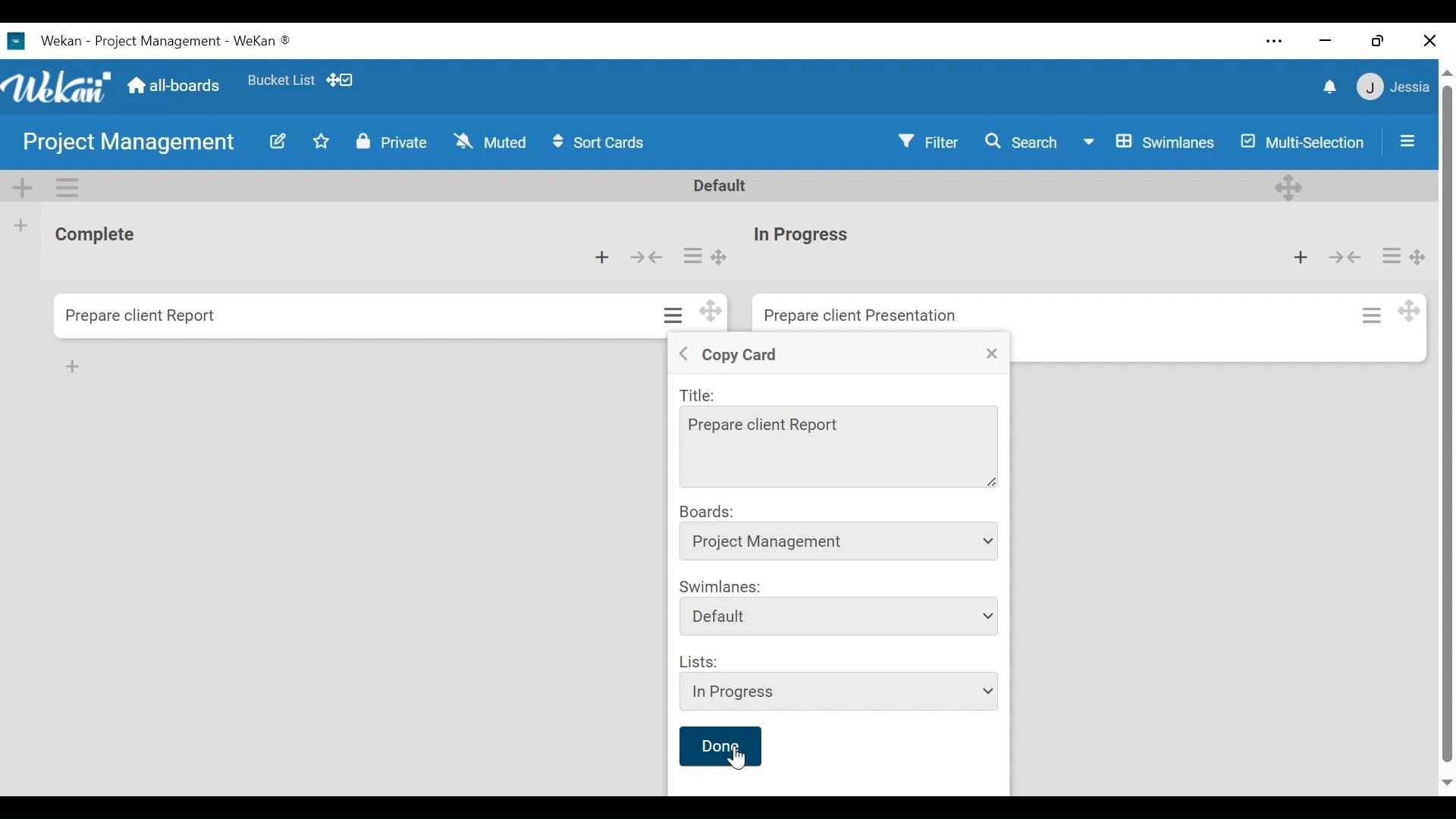 The height and width of the screenshot is (819, 1456). Describe the element at coordinates (284, 80) in the screenshot. I see `Favorites` at that location.